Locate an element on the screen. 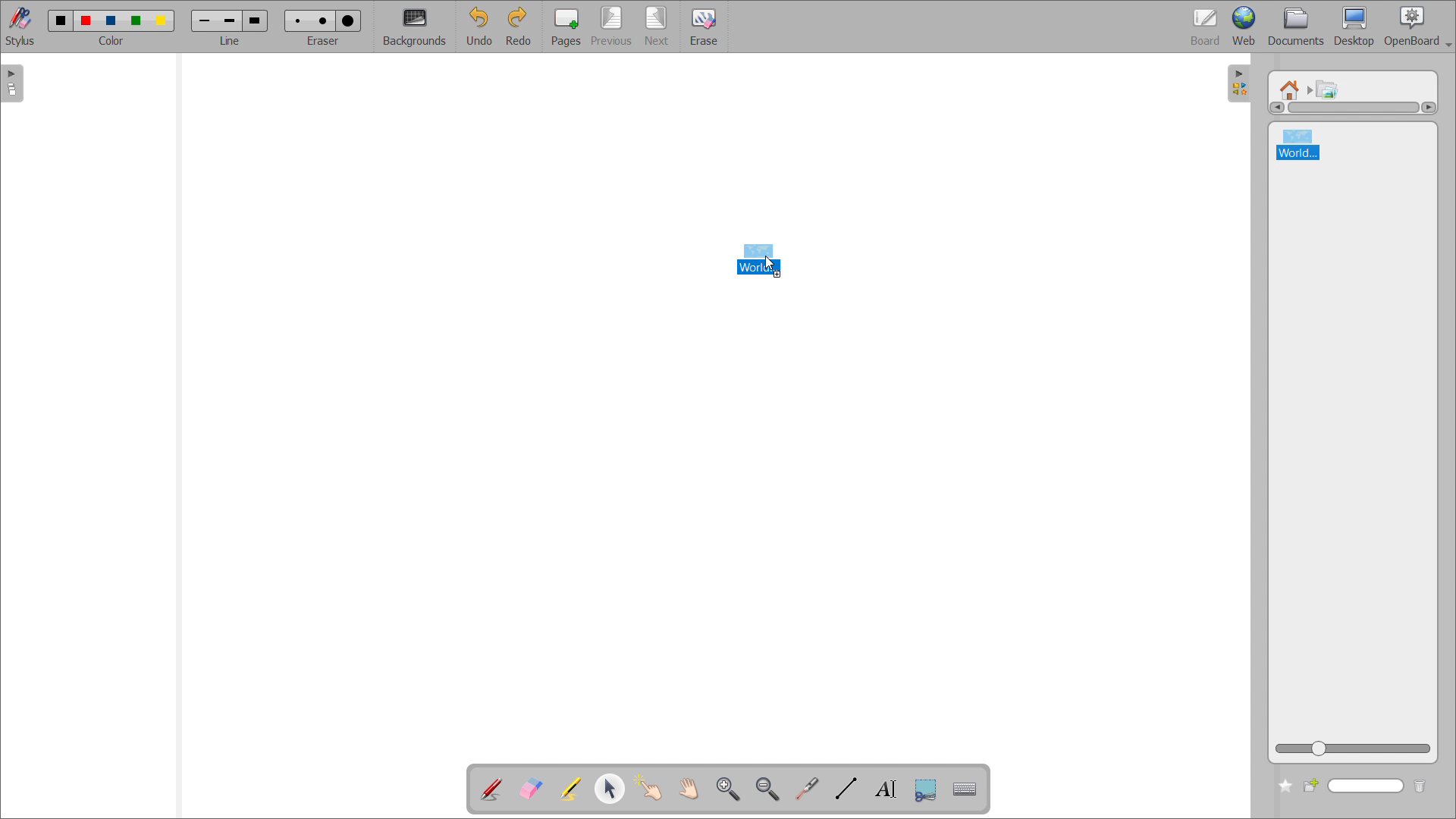 This screenshot has height=819, width=1456. desktop is located at coordinates (1354, 27).